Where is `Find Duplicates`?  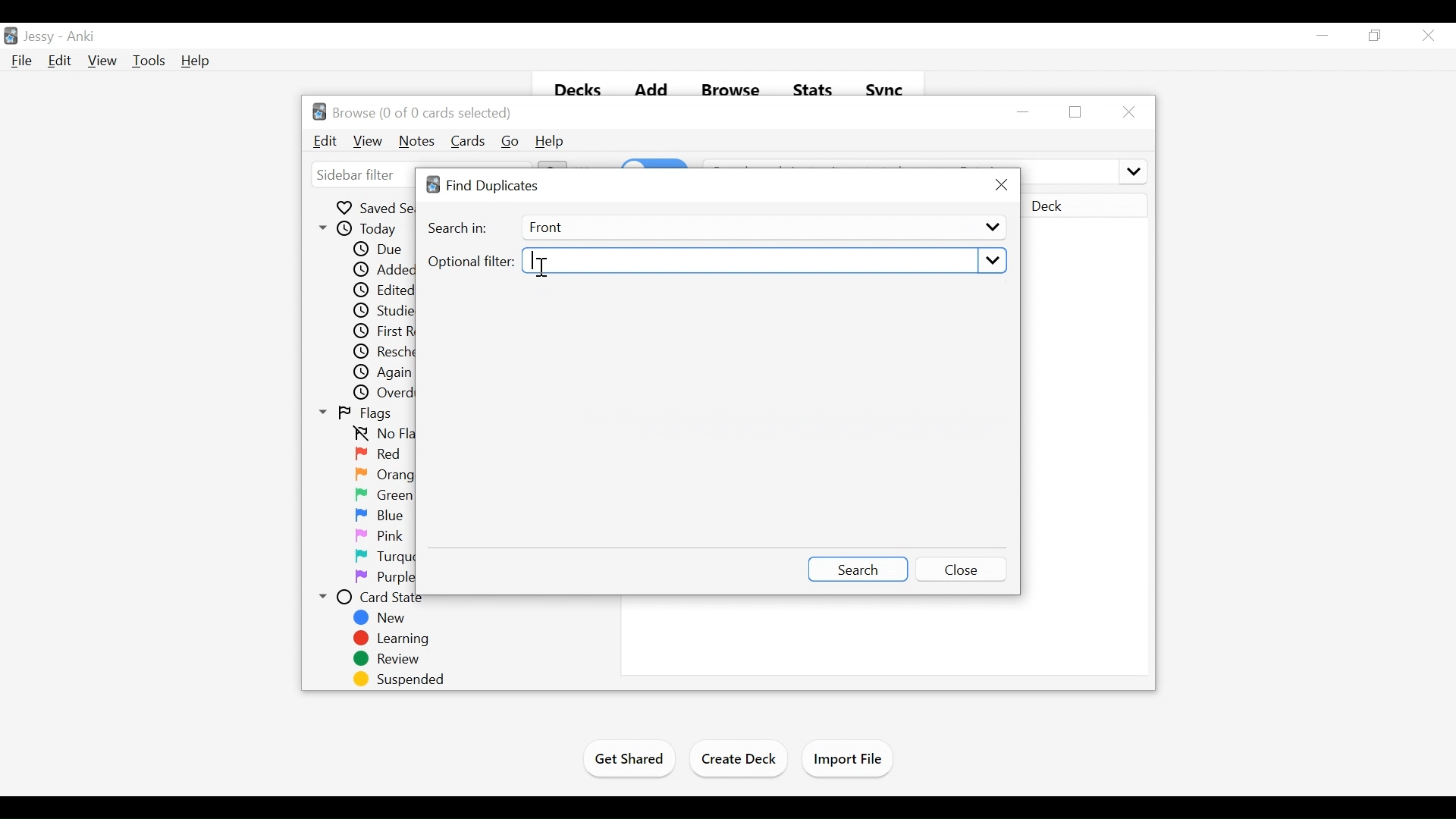
Find Duplicates is located at coordinates (485, 186).